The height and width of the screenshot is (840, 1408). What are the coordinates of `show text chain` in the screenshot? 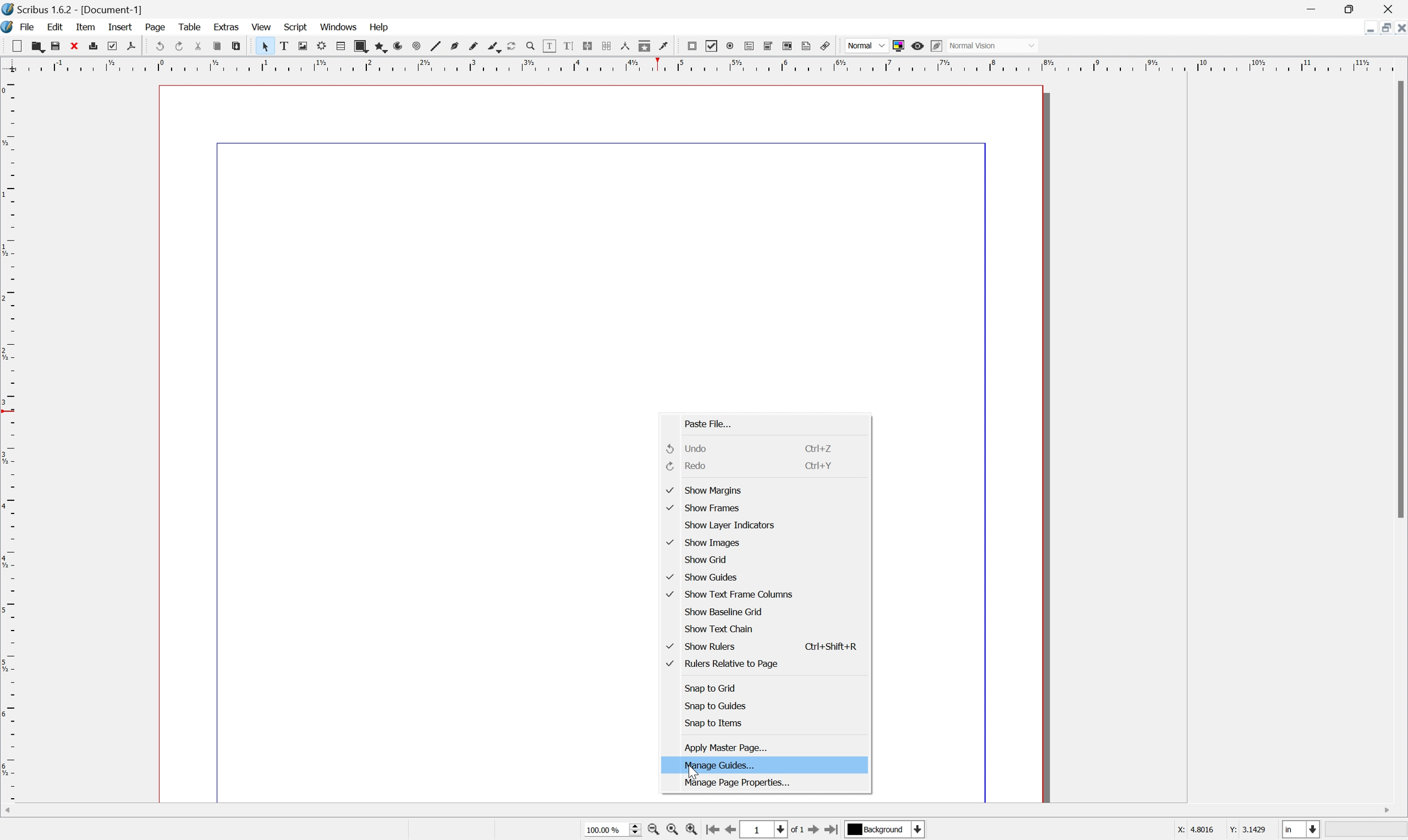 It's located at (719, 628).